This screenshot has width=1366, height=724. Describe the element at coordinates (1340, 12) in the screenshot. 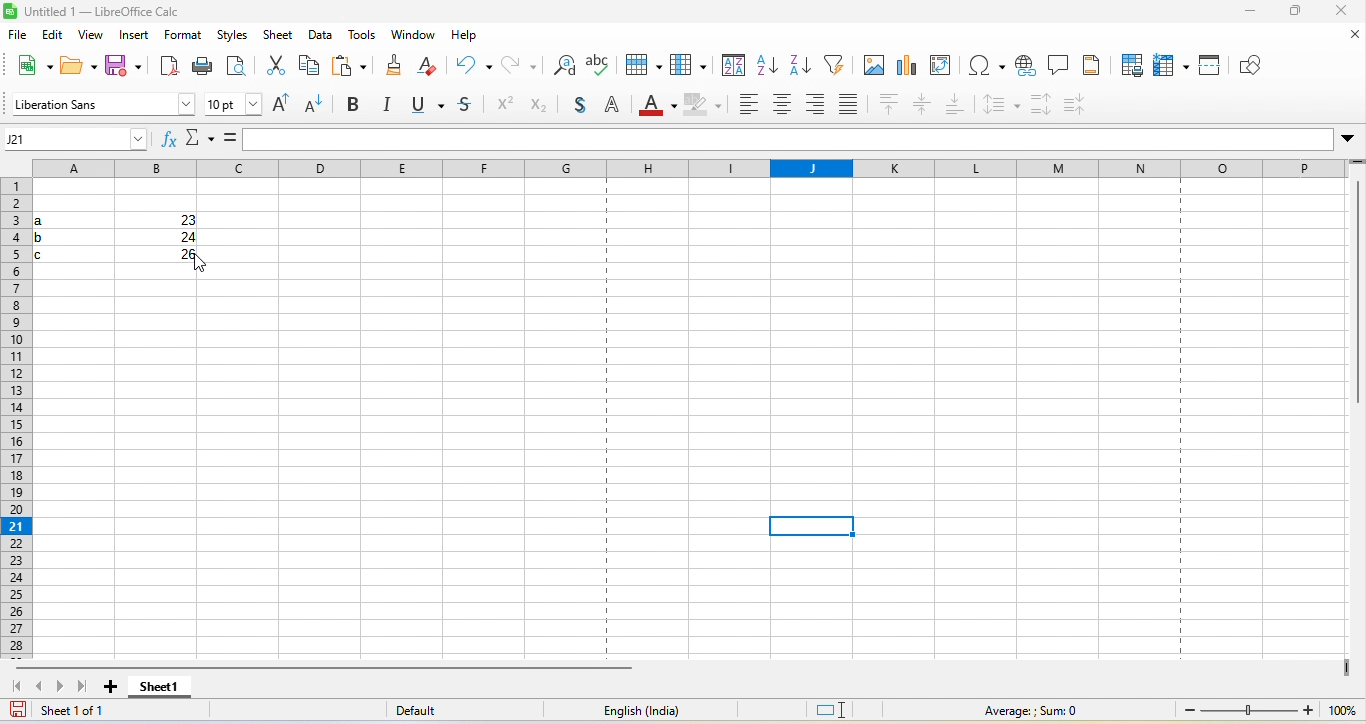

I see `close` at that location.